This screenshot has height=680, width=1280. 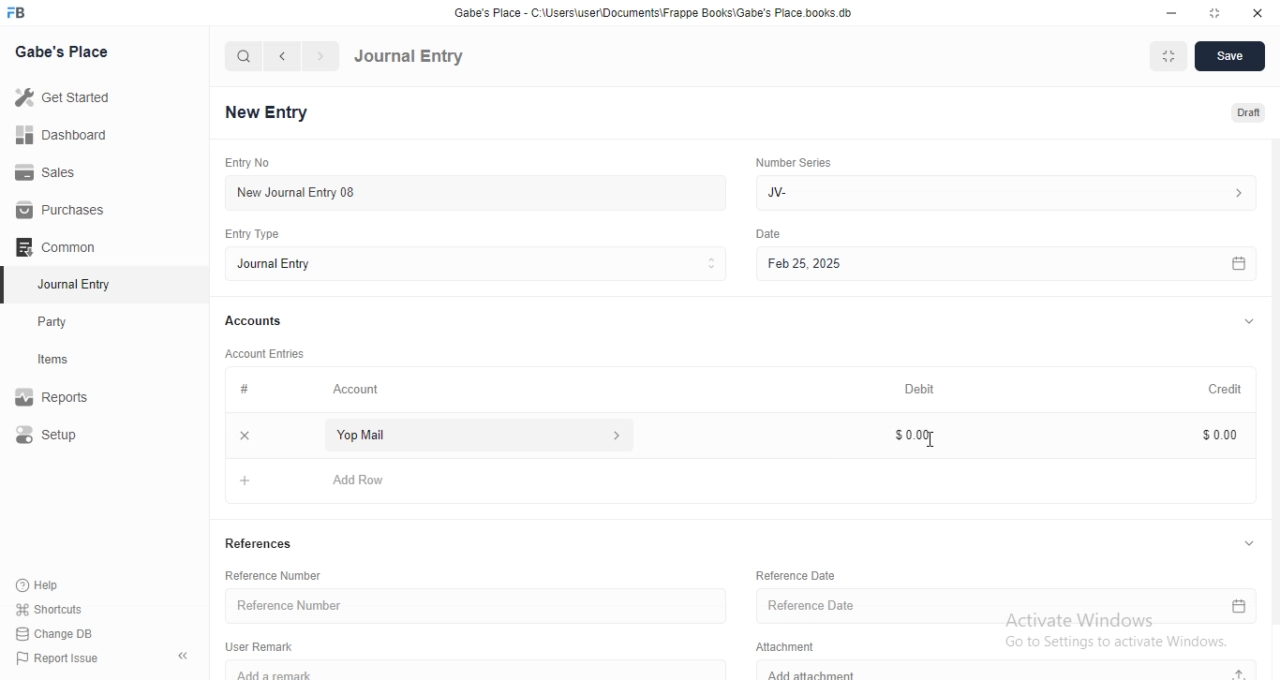 What do you see at coordinates (1210, 434) in the screenshot?
I see `$0.00` at bounding box center [1210, 434].